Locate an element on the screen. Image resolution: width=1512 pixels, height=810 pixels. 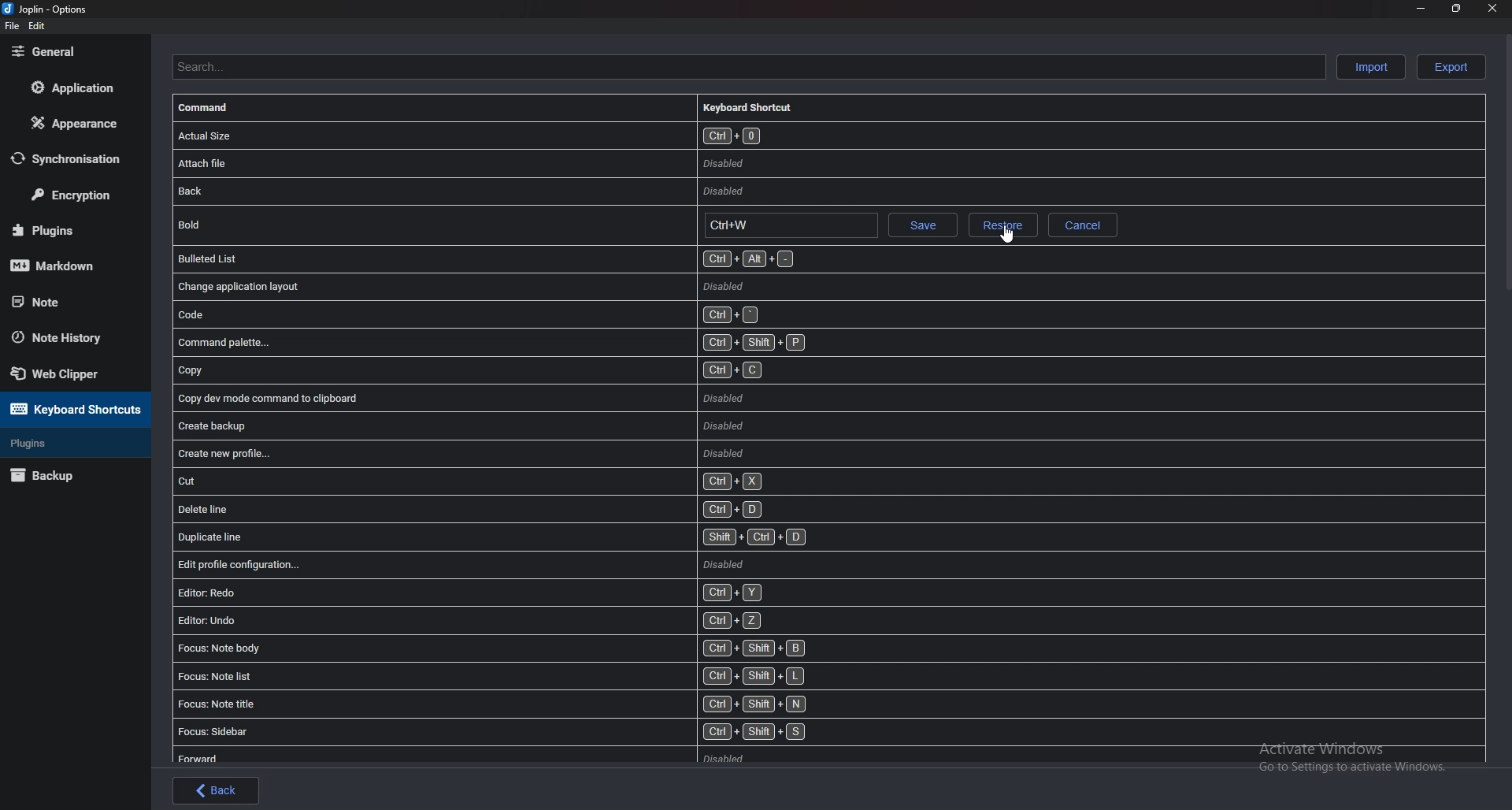
Create backup is located at coordinates (465, 425).